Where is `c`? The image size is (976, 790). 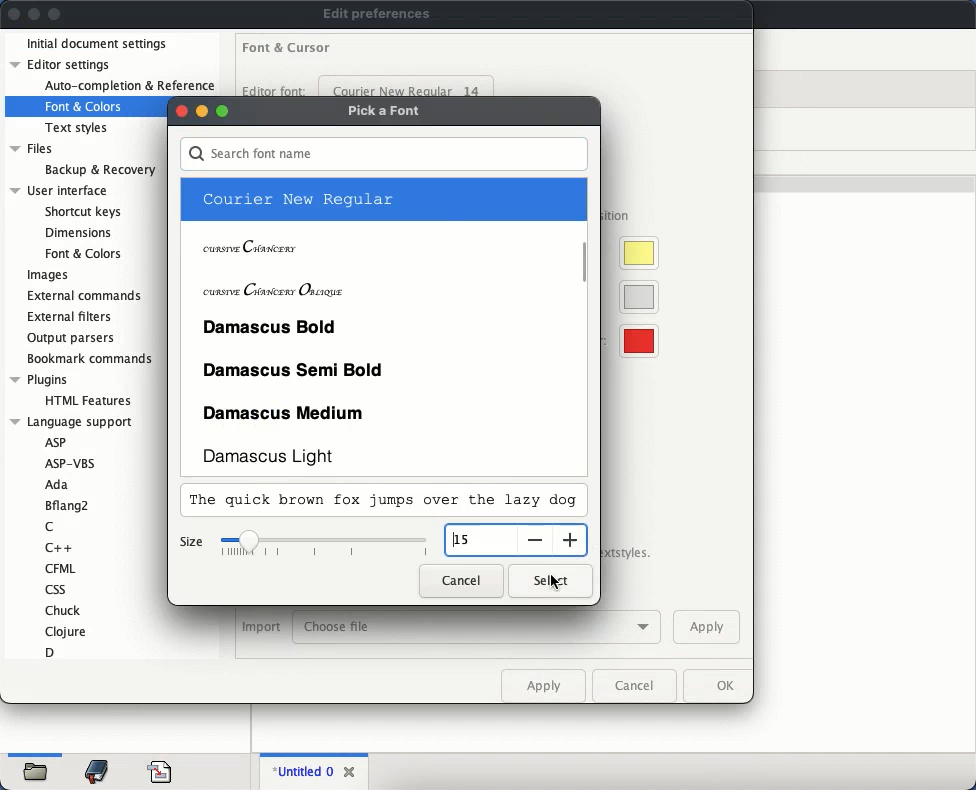
c is located at coordinates (49, 528).